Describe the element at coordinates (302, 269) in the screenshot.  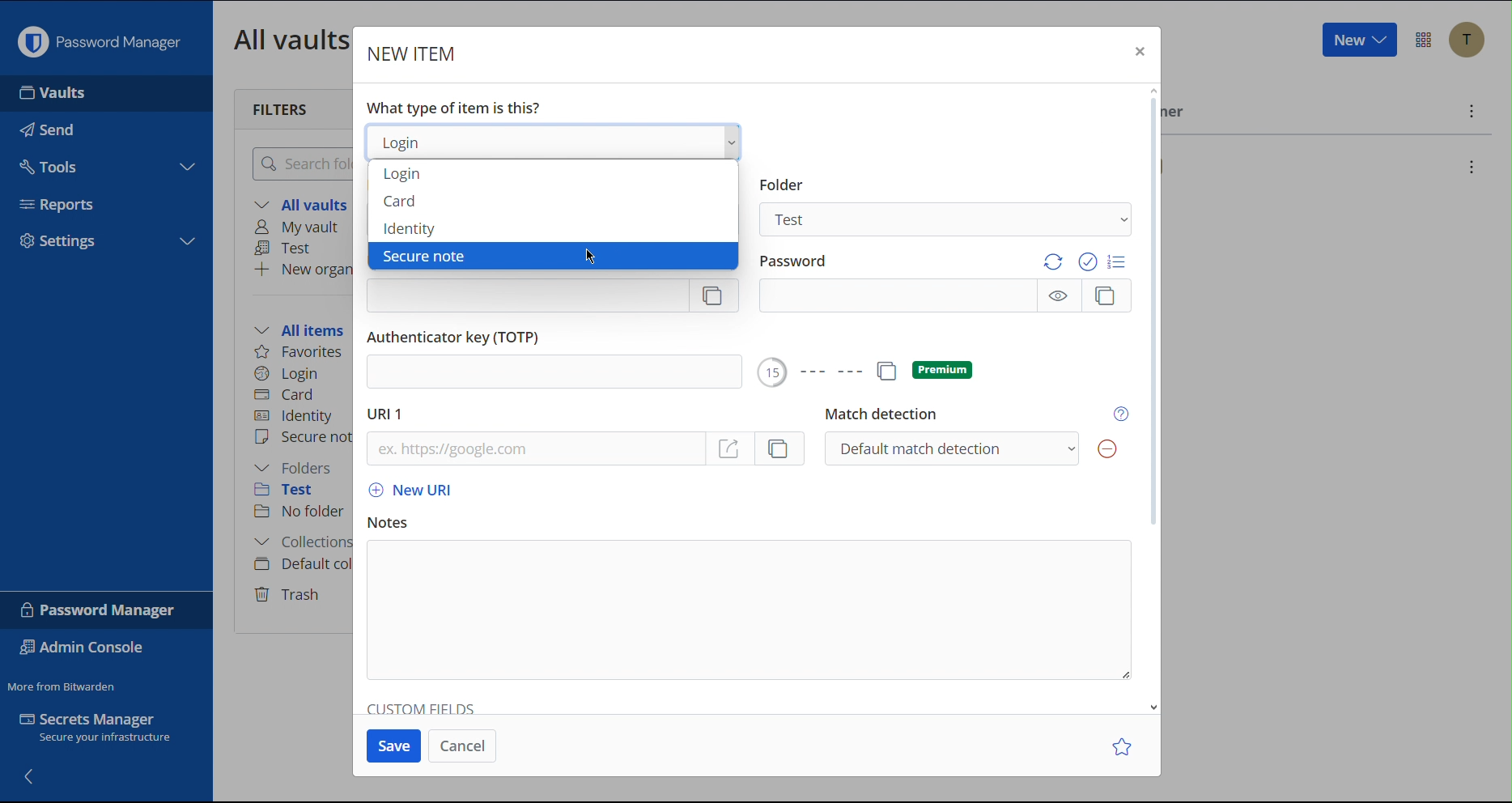
I see `New organization` at that location.